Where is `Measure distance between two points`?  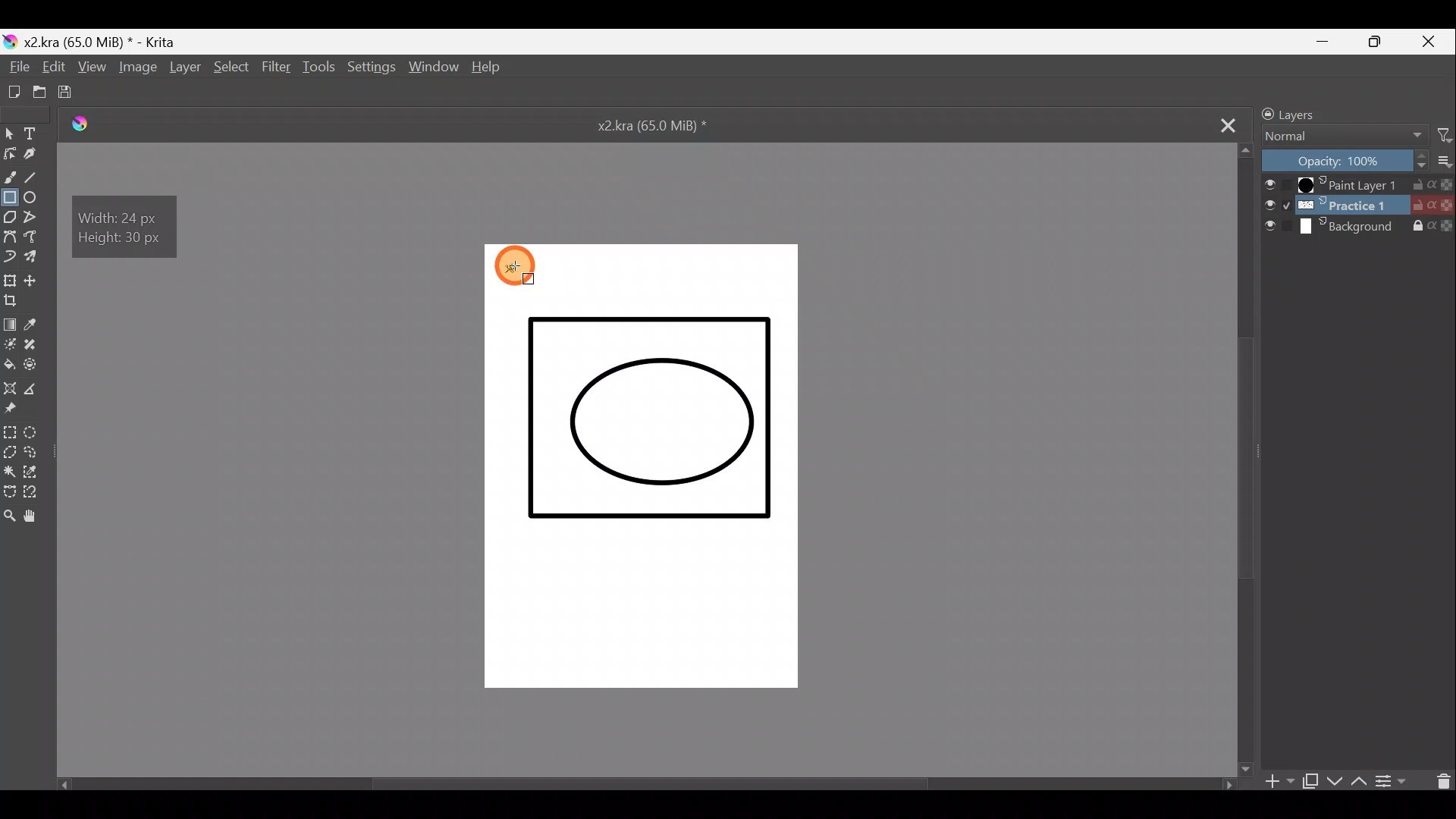
Measure distance between two points is located at coordinates (33, 387).